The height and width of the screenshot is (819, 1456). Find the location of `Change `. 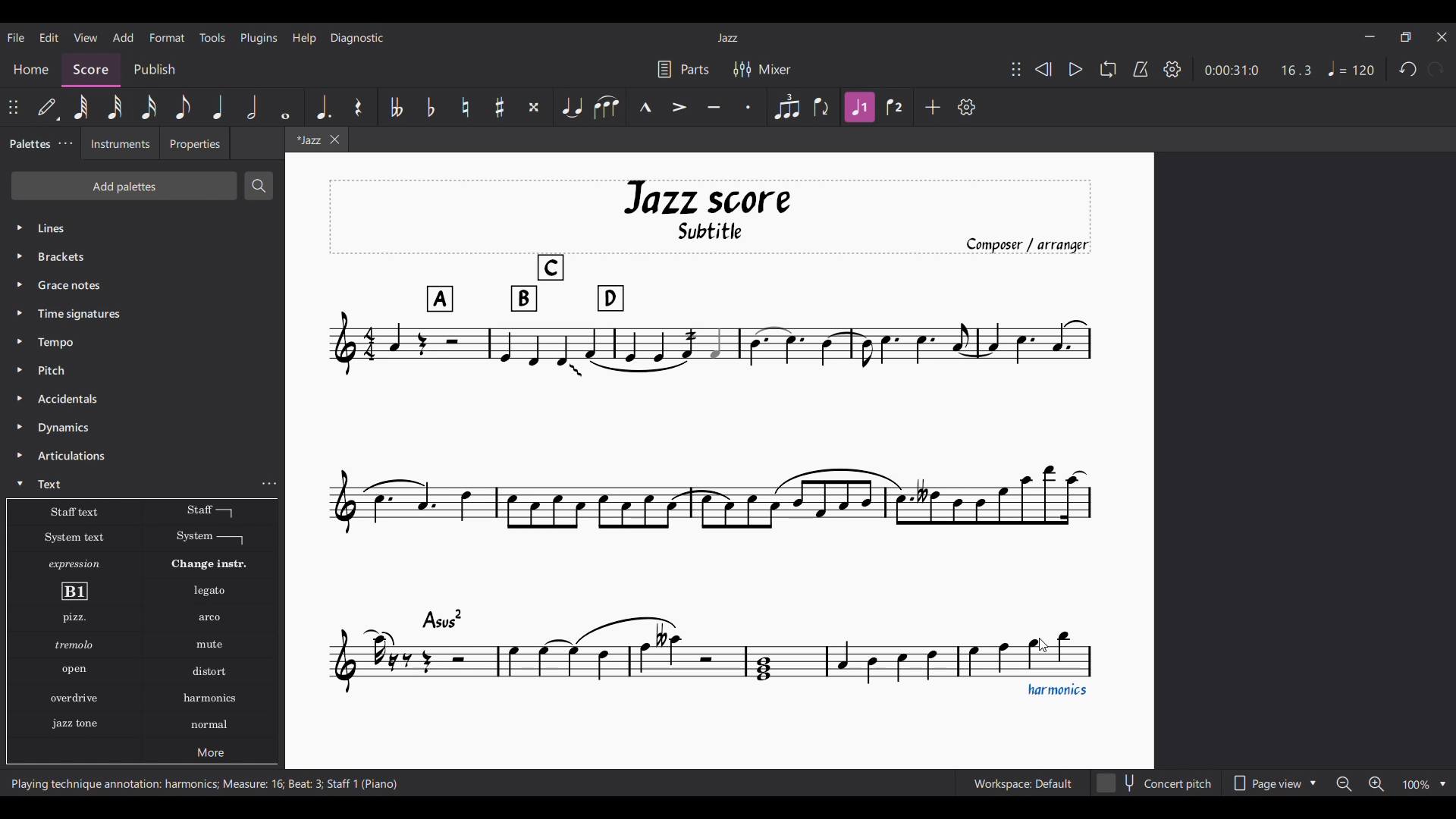

Change  is located at coordinates (218, 564).